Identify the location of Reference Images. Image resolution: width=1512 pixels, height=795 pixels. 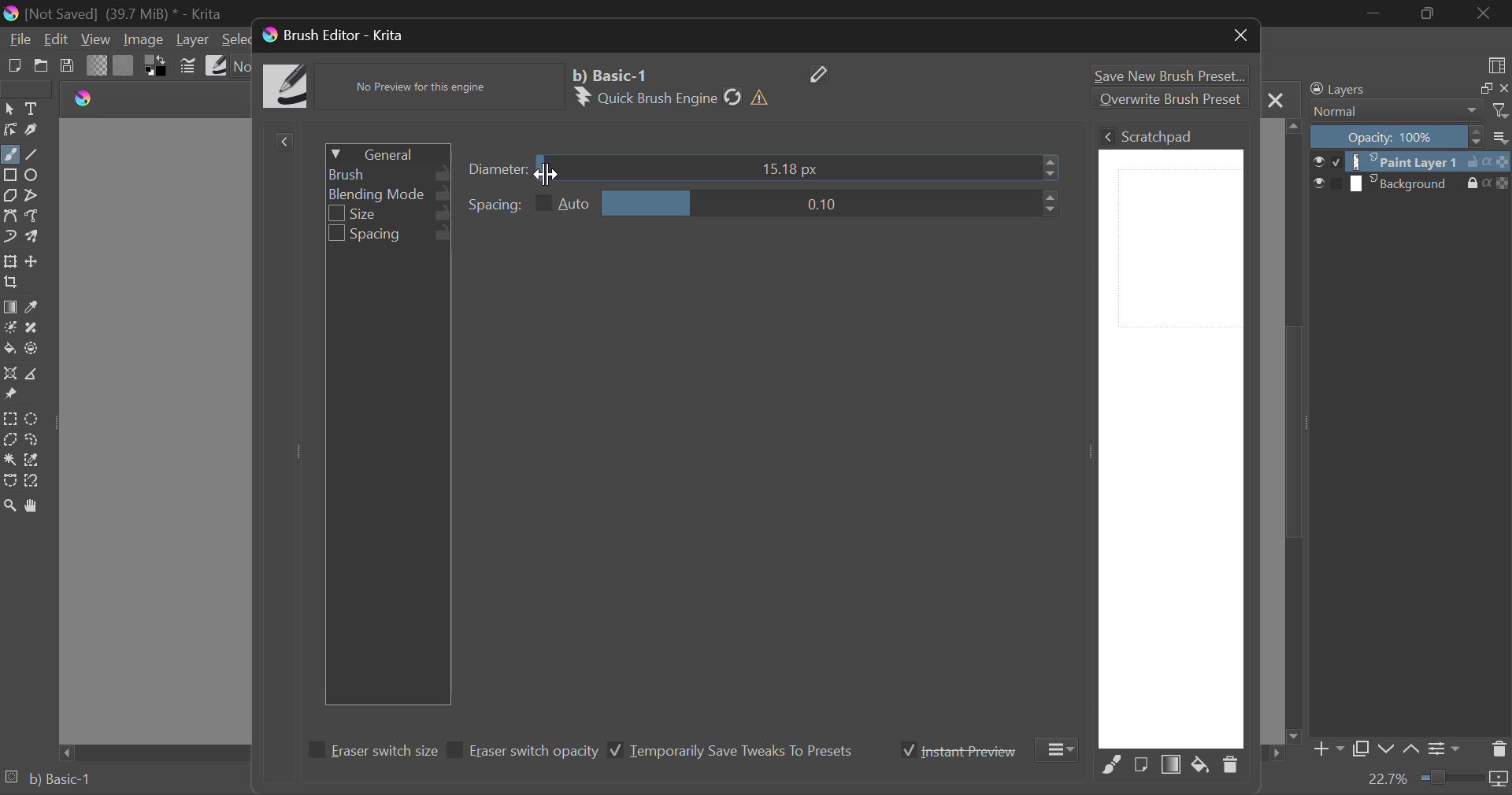
(10, 396).